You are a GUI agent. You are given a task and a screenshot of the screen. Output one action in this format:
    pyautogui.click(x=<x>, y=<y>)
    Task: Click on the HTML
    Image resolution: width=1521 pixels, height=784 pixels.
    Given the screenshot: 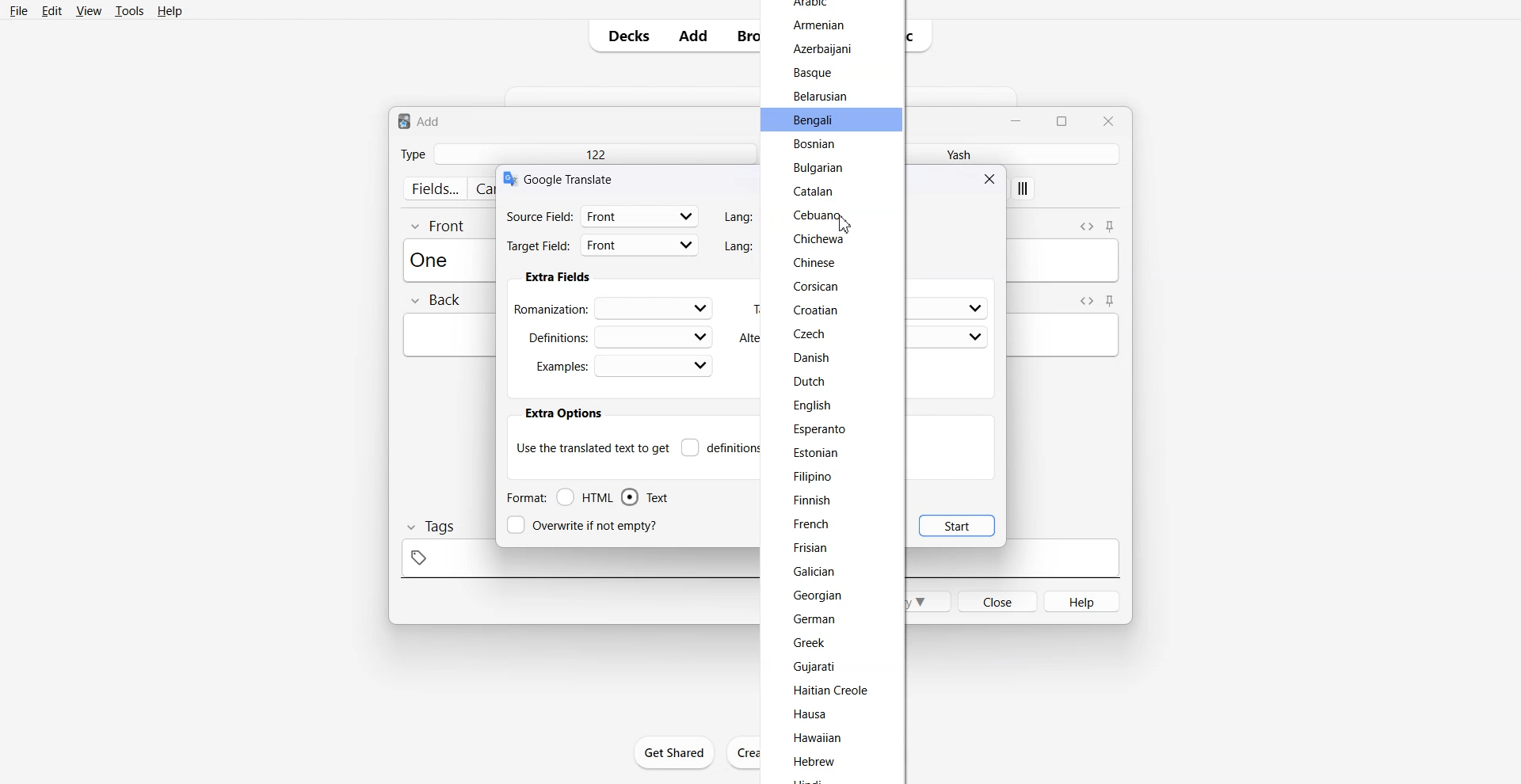 What is the action you would take?
    pyautogui.click(x=585, y=497)
    